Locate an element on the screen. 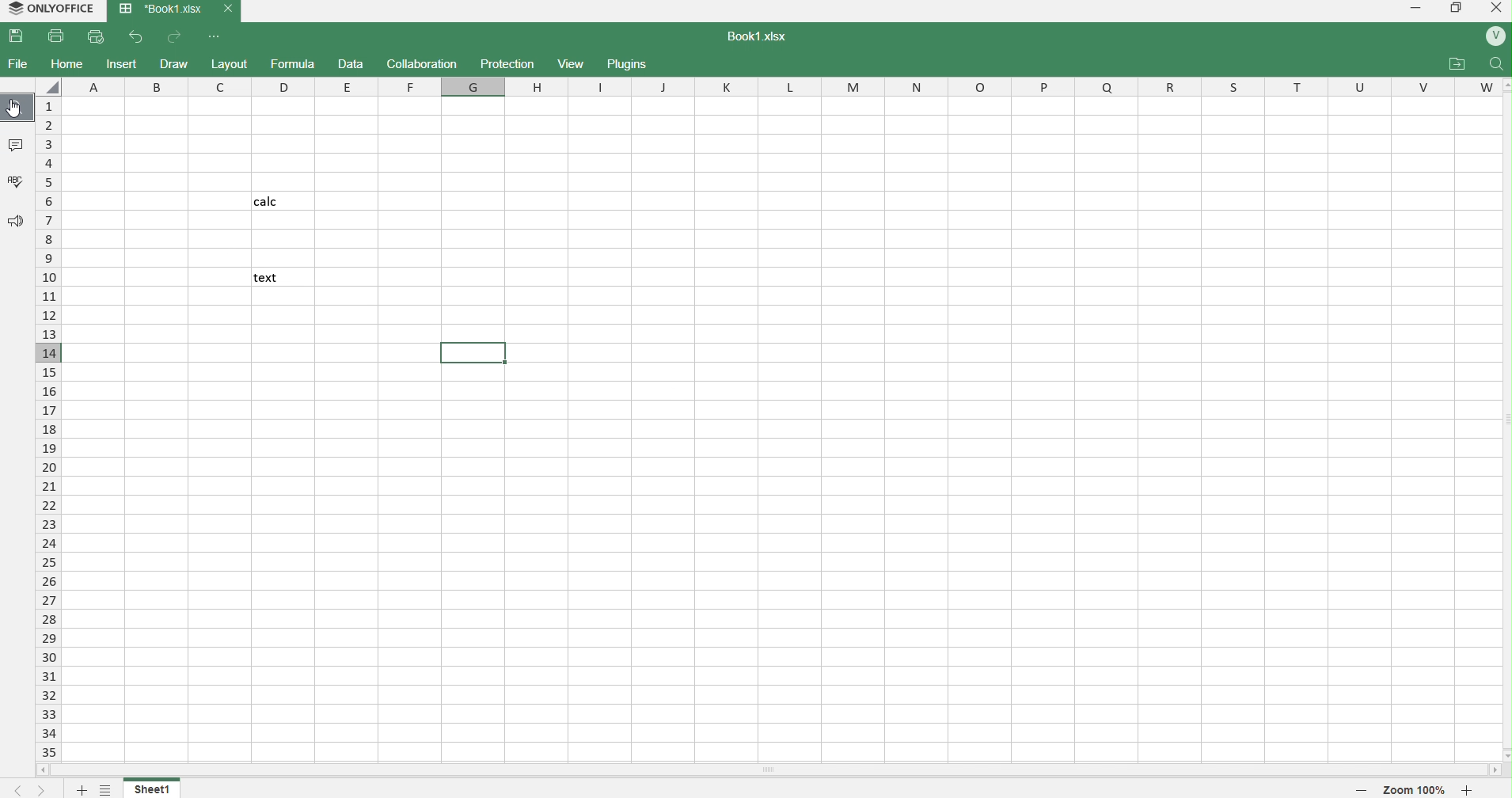  current cell is located at coordinates (474, 351).